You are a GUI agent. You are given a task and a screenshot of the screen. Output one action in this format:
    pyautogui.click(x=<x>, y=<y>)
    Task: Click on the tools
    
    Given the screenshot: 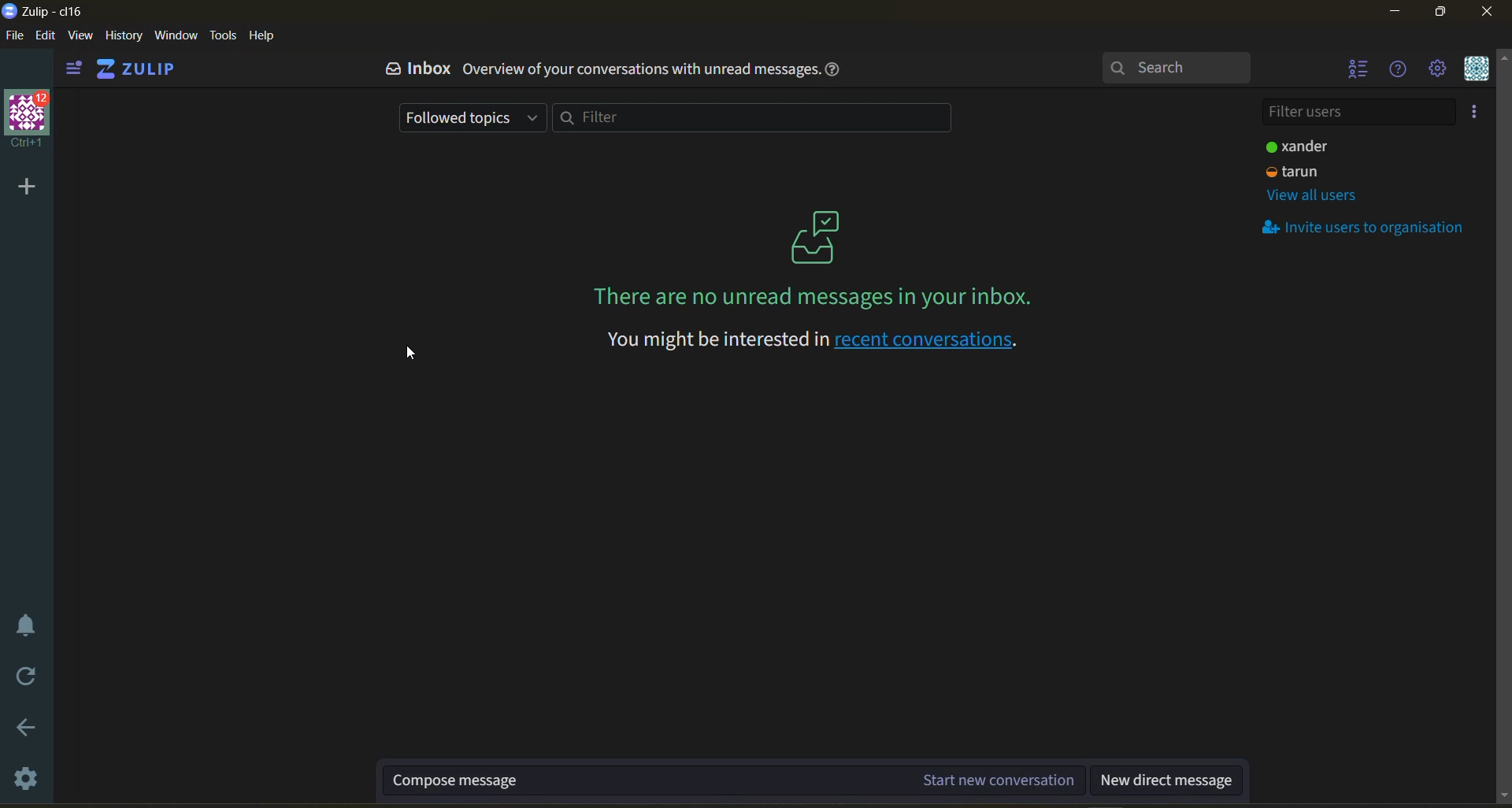 What is the action you would take?
    pyautogui.click(x=222, y=35)
    